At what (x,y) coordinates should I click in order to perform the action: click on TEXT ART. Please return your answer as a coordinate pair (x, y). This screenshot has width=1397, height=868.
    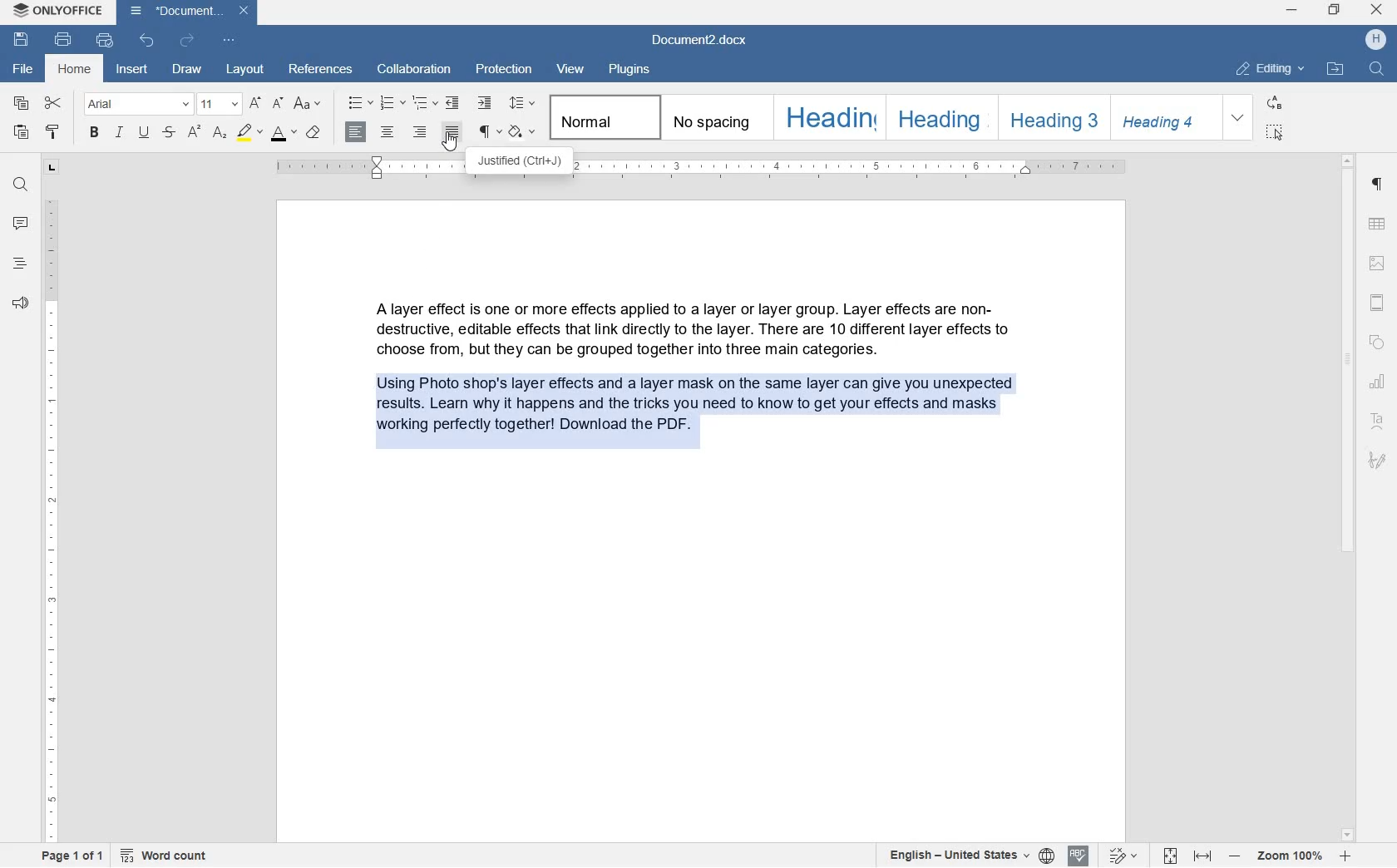
    Looking at the image, I should click on (1376, 422).